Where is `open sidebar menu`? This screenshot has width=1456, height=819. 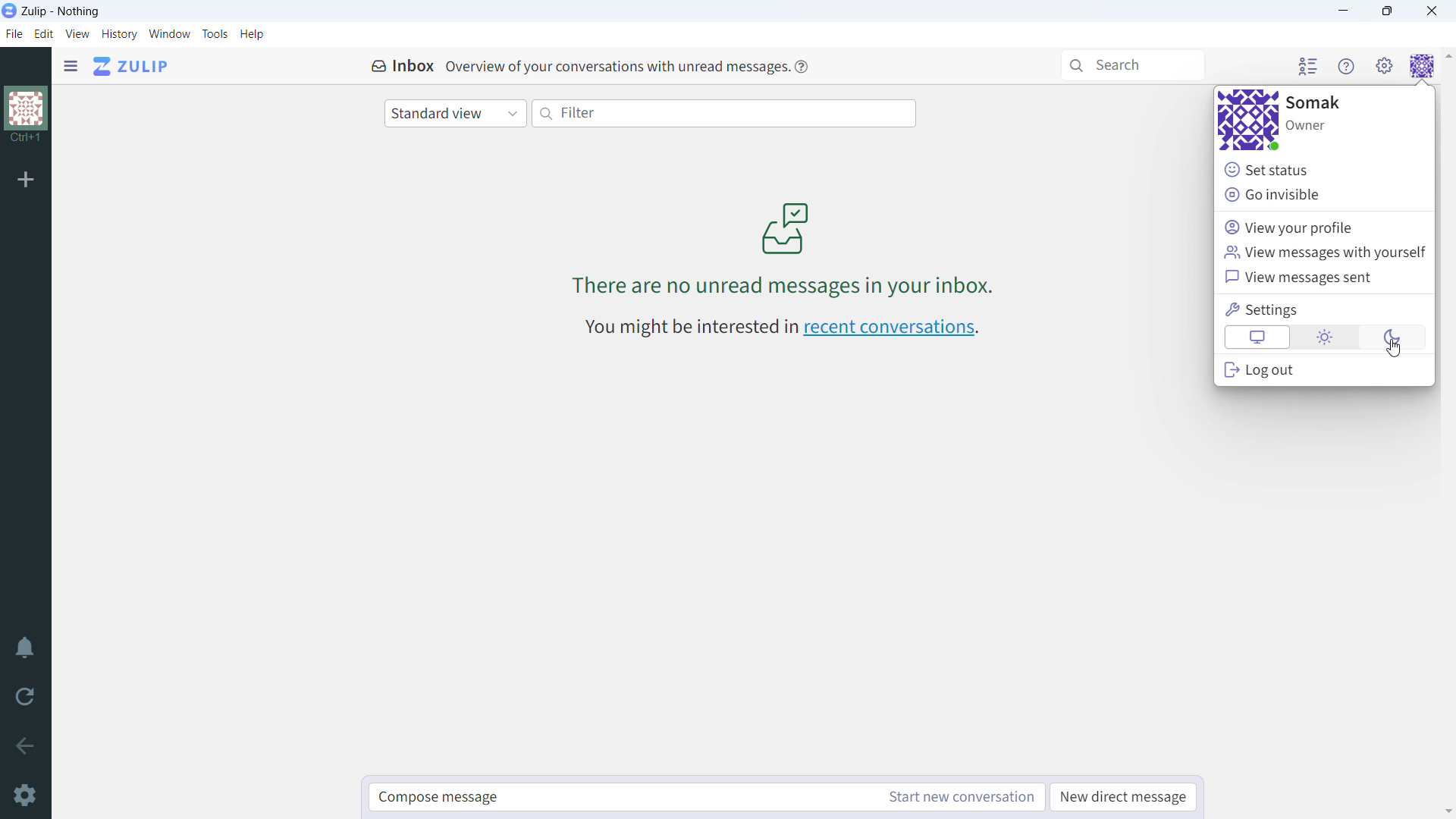 open sidebar menu is located at coordinates (71, 66).